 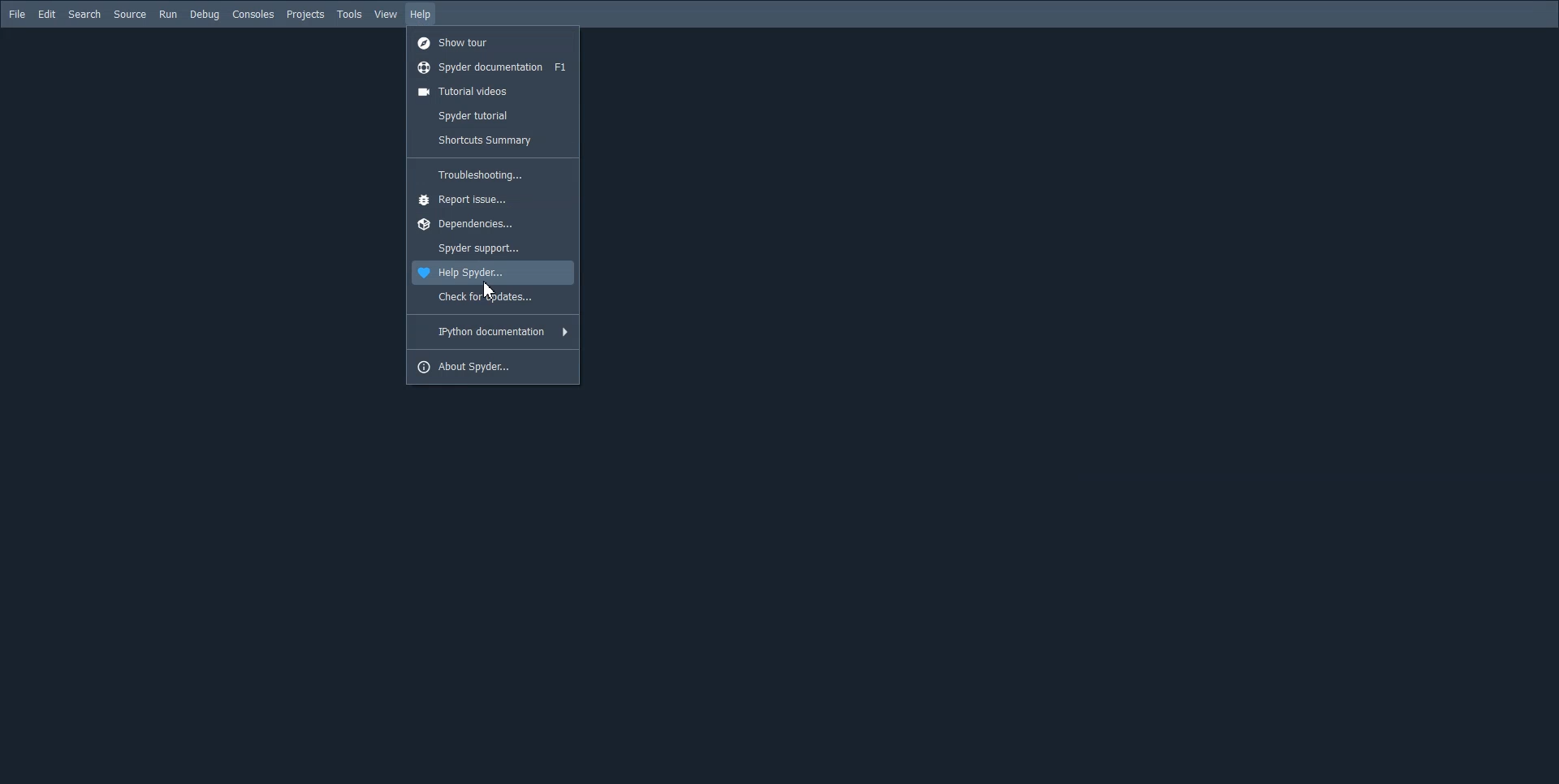 What do you see at coordinates (130, 15) in the screenshot?
I see `Source` at bounding box center [130, 15].